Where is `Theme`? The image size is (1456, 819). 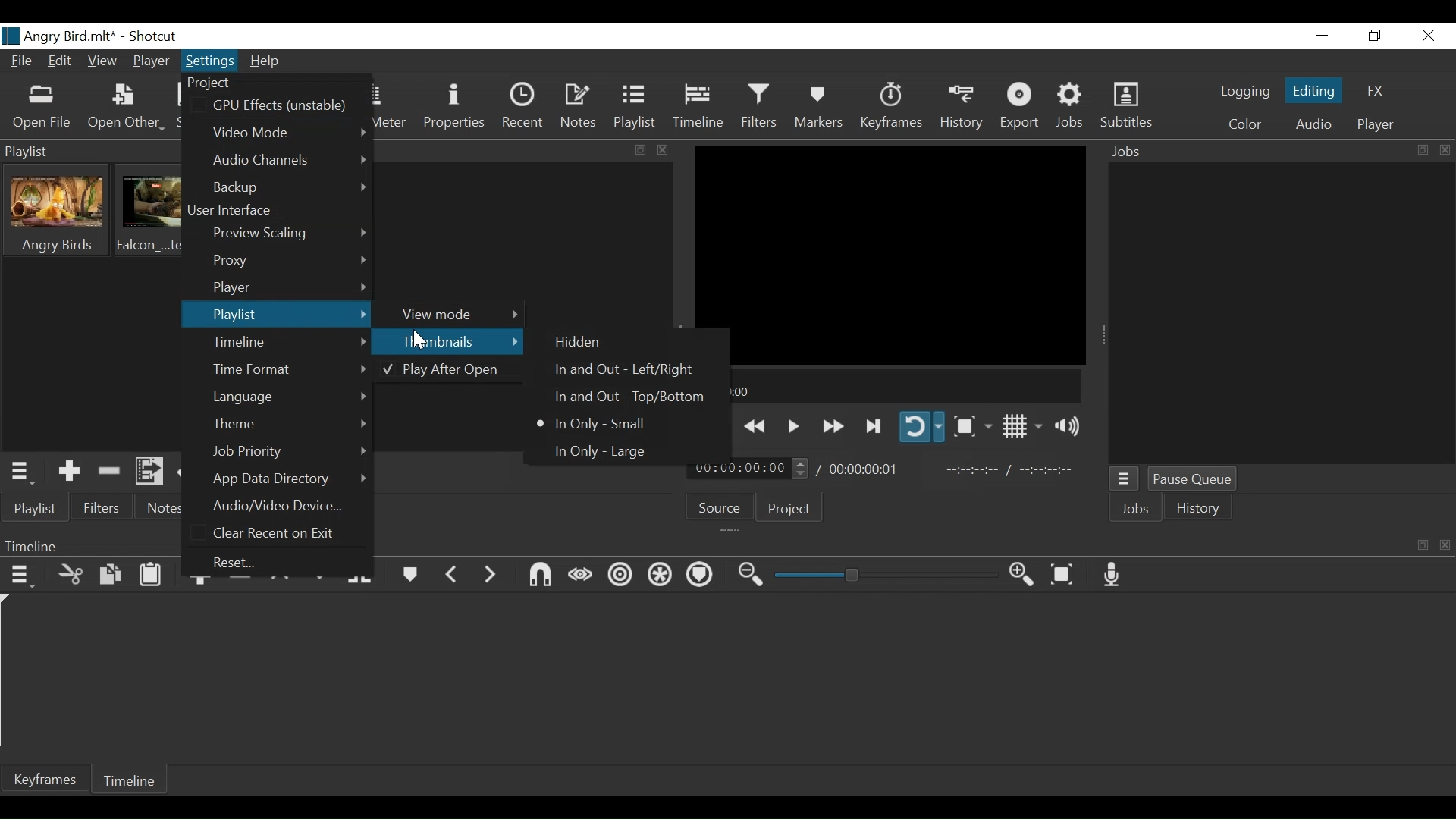
Theme is located at coordinates (288, 425).